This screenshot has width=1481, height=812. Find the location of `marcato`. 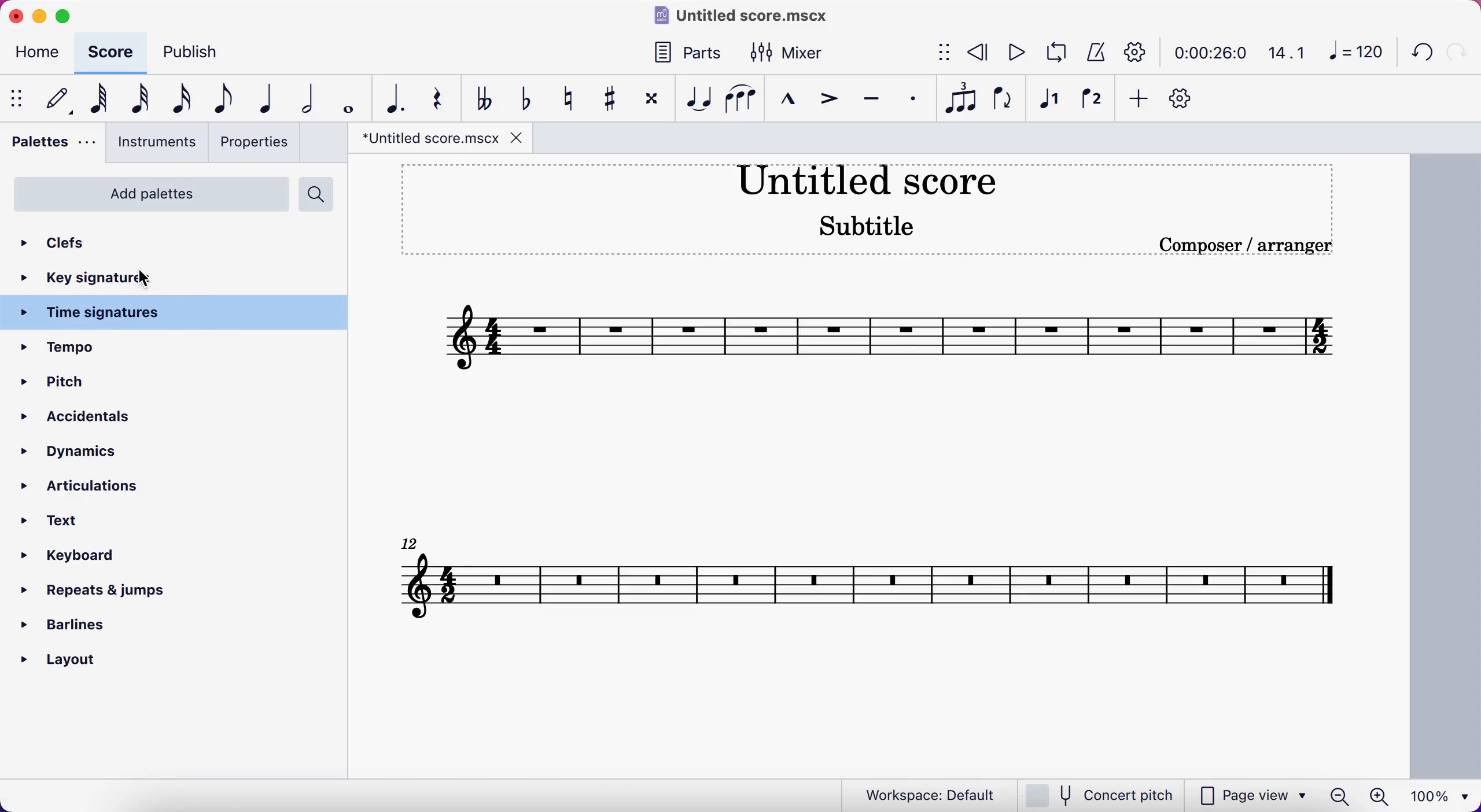

marcato is located at coordinates (791, 105).